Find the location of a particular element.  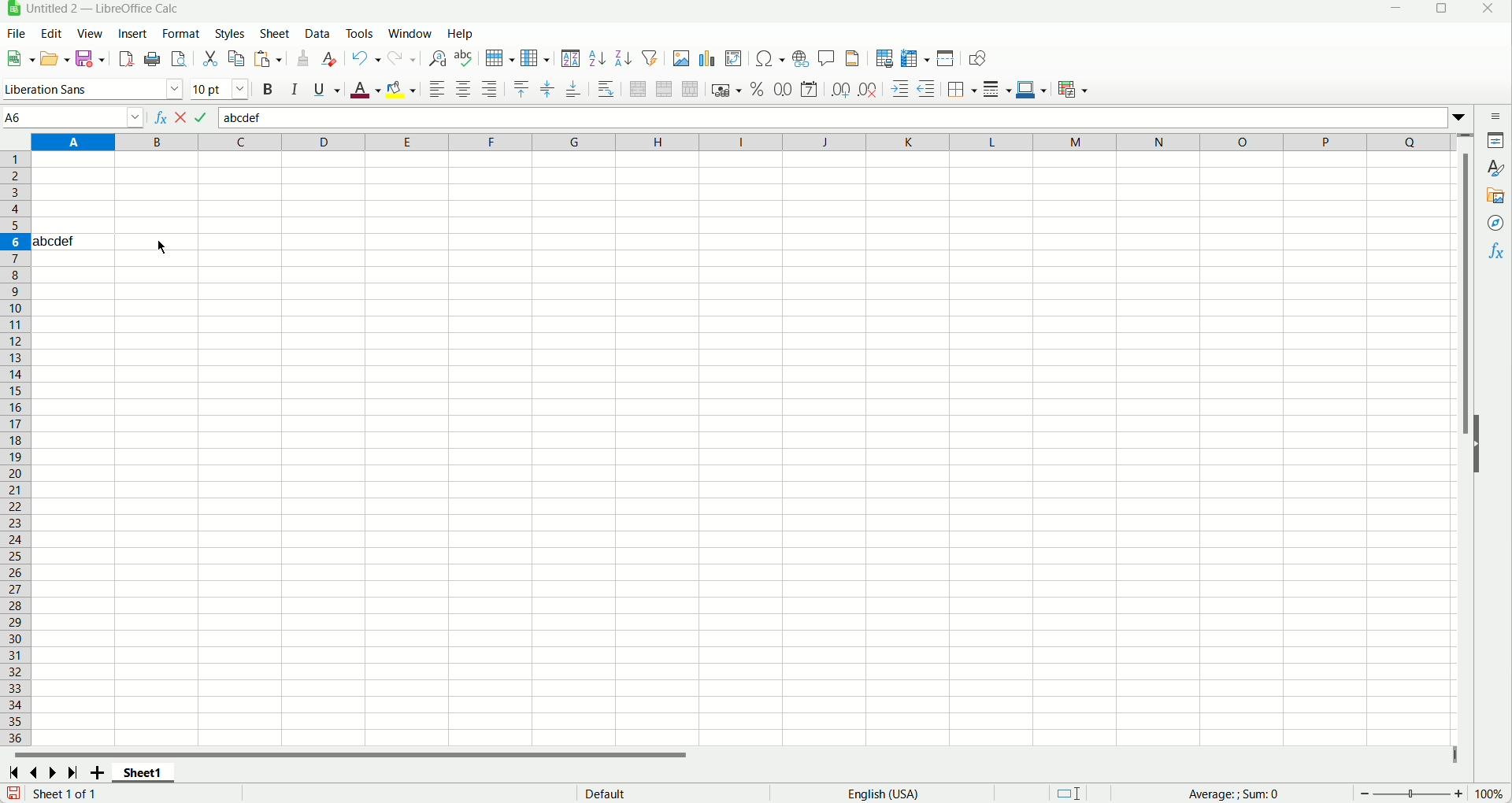

merge cells is located at coordinates (663, 88).